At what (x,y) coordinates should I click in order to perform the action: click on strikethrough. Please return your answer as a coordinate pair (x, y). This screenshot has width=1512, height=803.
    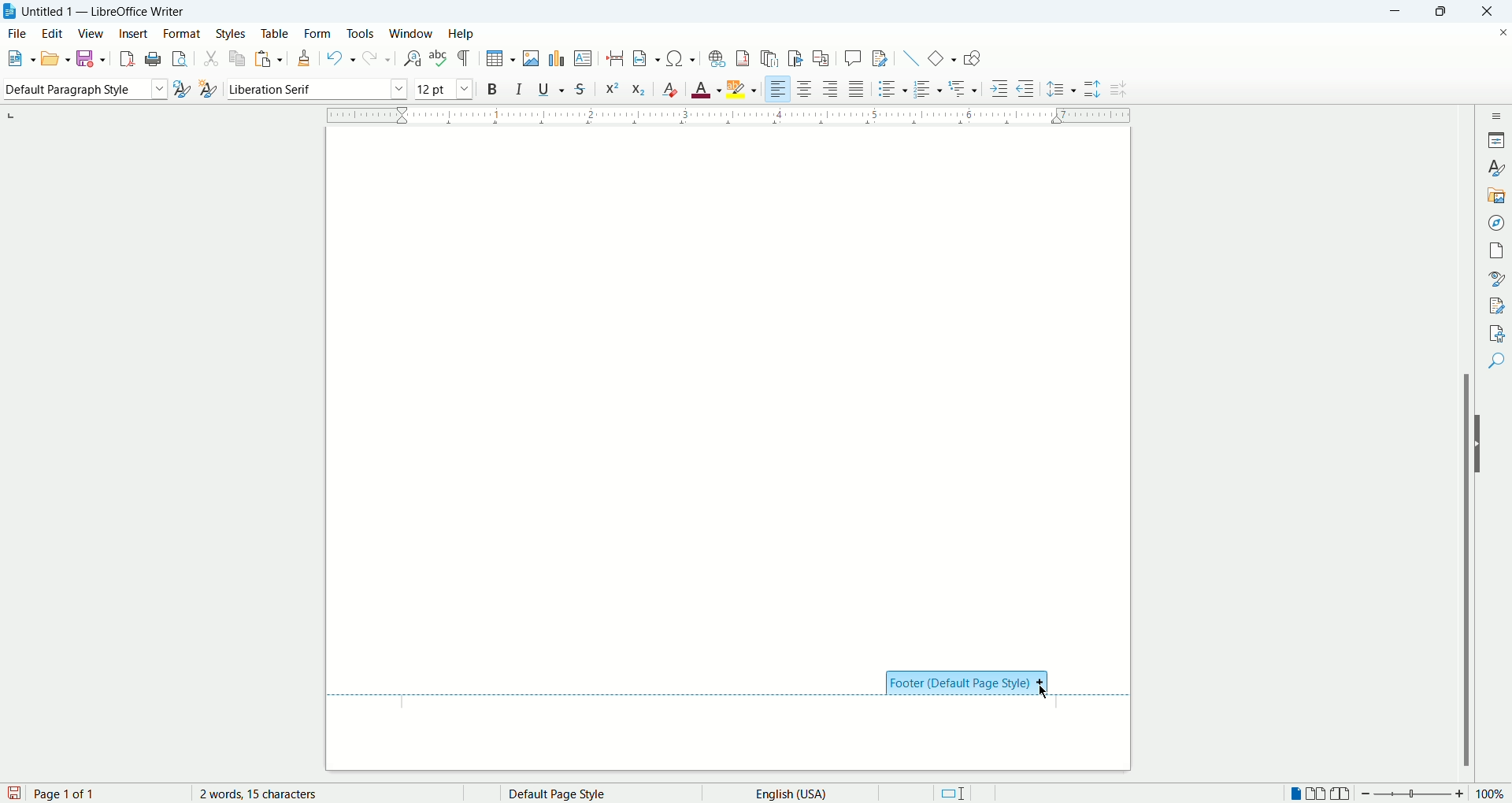
    Looking at the image, I should click on (580, 91).